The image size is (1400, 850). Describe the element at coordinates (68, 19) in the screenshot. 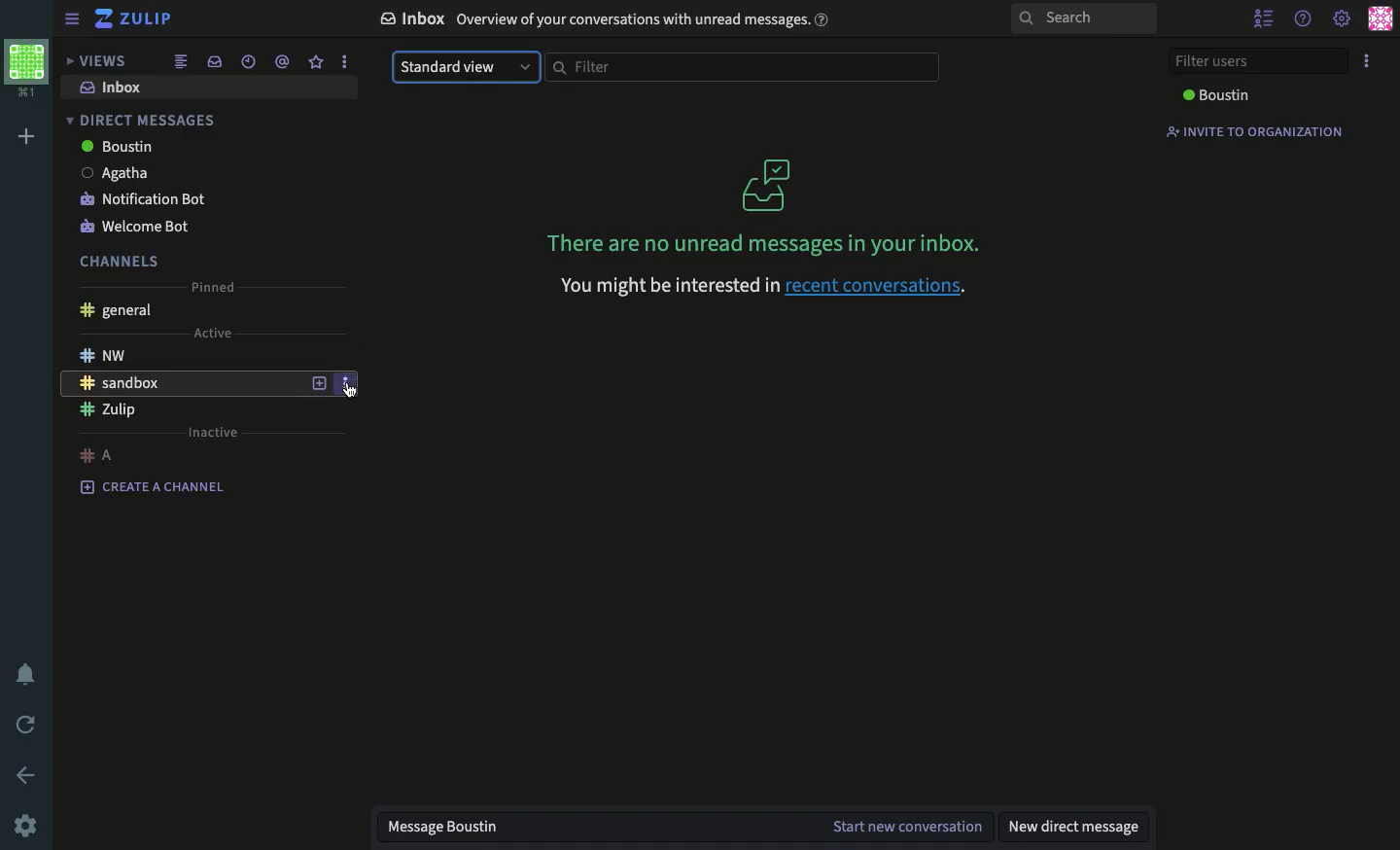

I see `sidebar ` at that location.